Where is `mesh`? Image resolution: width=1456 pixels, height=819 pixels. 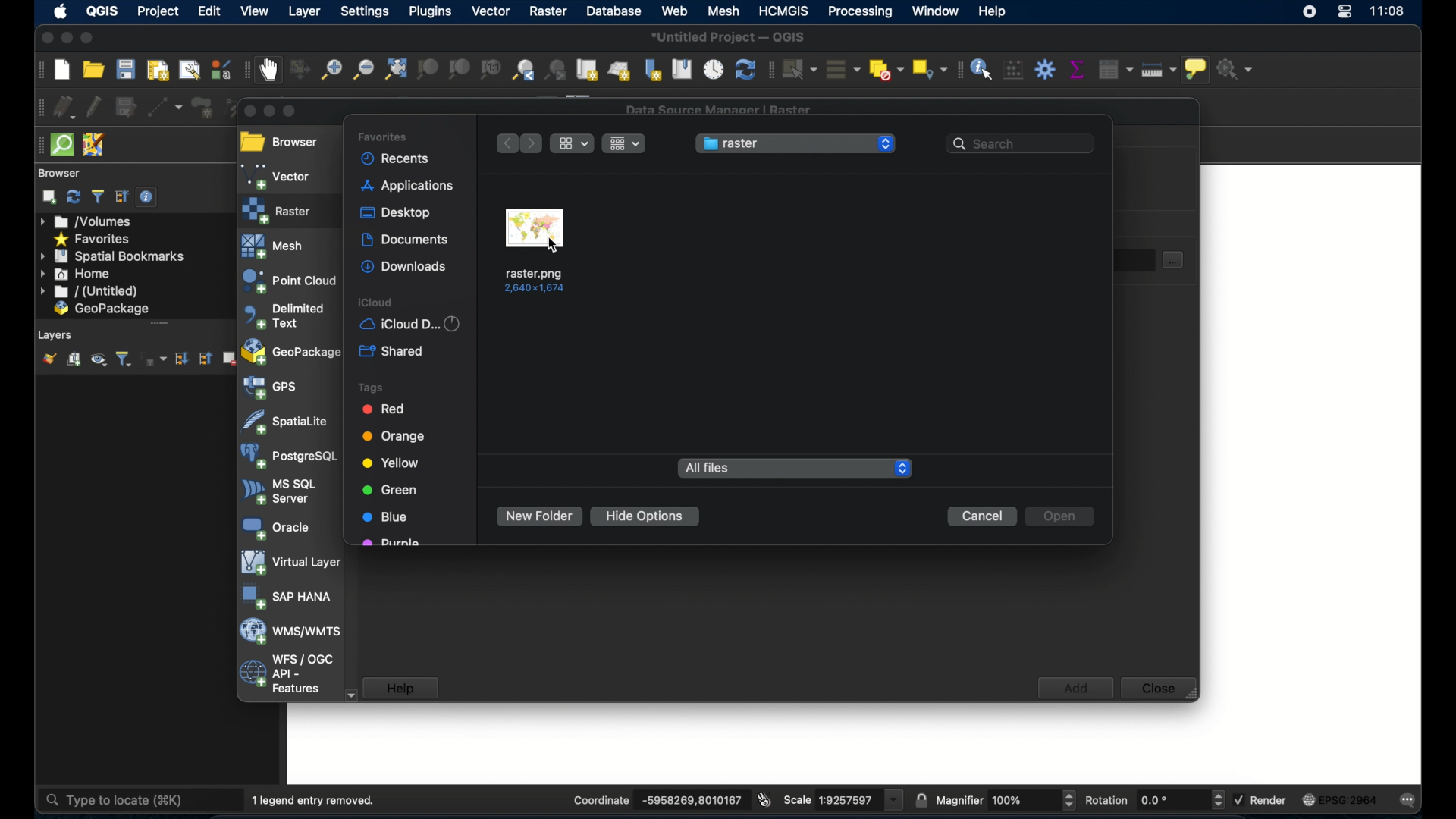 mesh is located at coordinates (274, 247).